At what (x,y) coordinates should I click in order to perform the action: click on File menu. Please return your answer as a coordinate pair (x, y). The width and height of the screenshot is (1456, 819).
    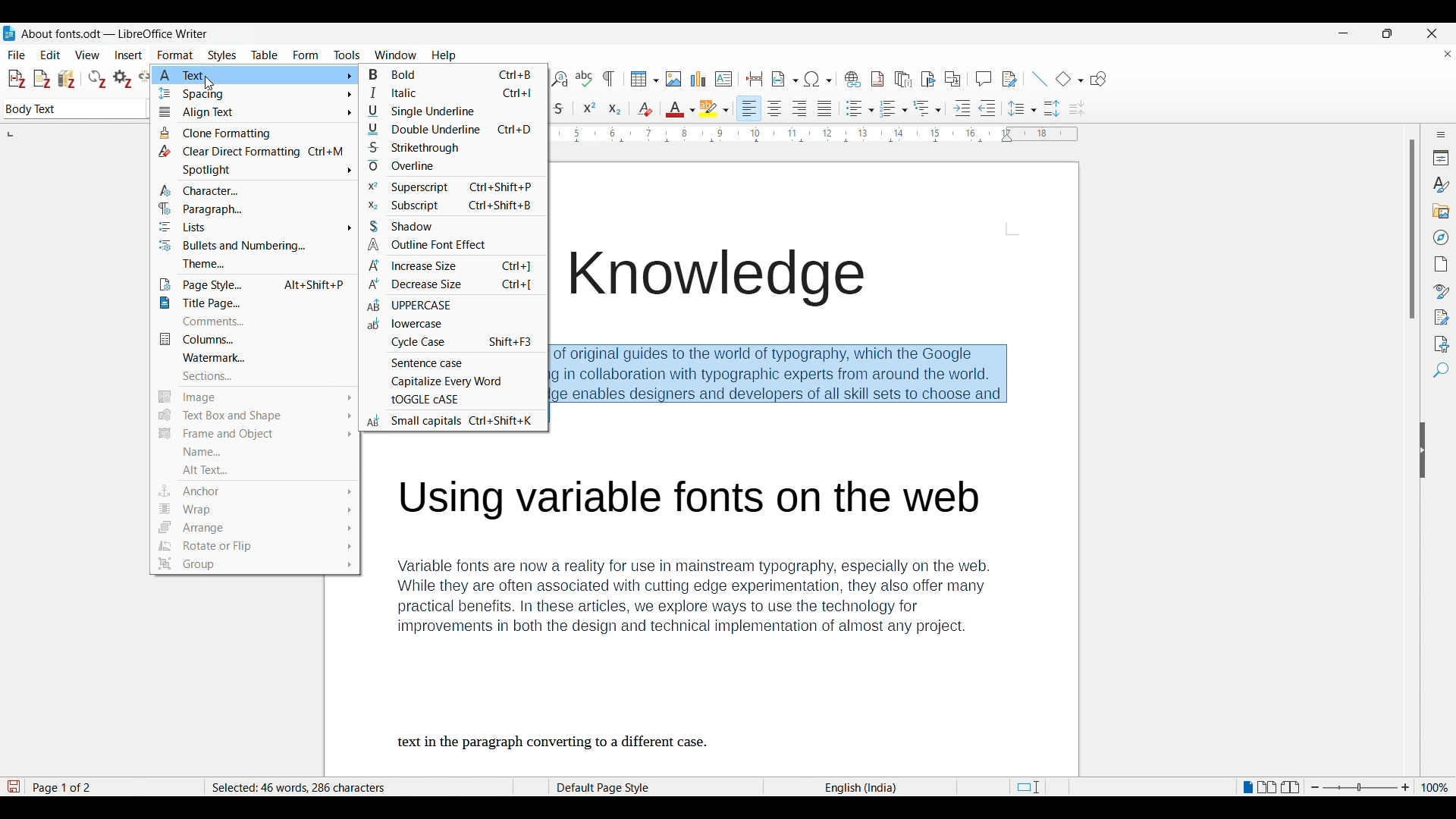
    Looking at the image, I should click on (17, 55).